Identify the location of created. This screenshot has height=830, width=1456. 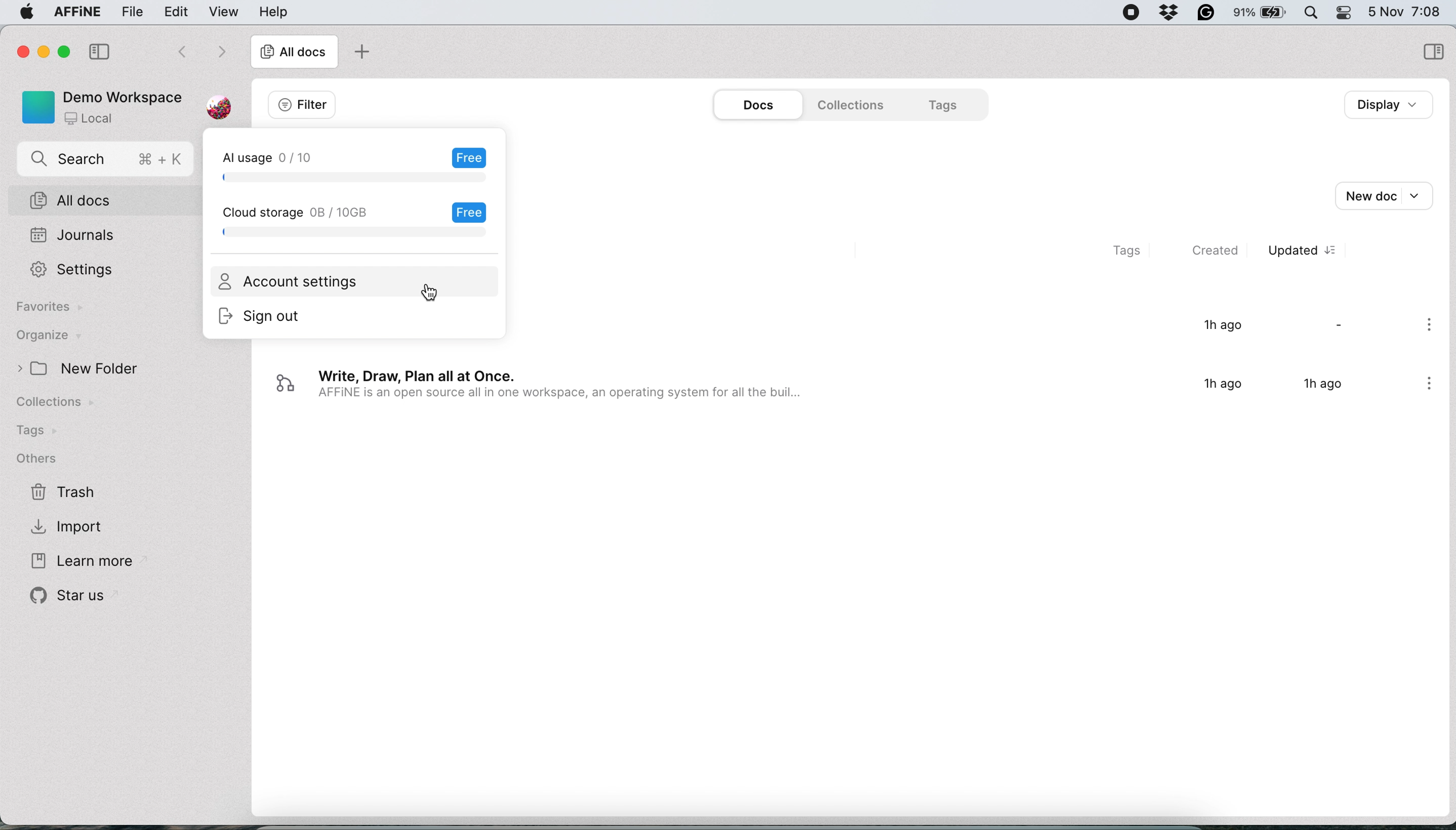
(1222, 253).